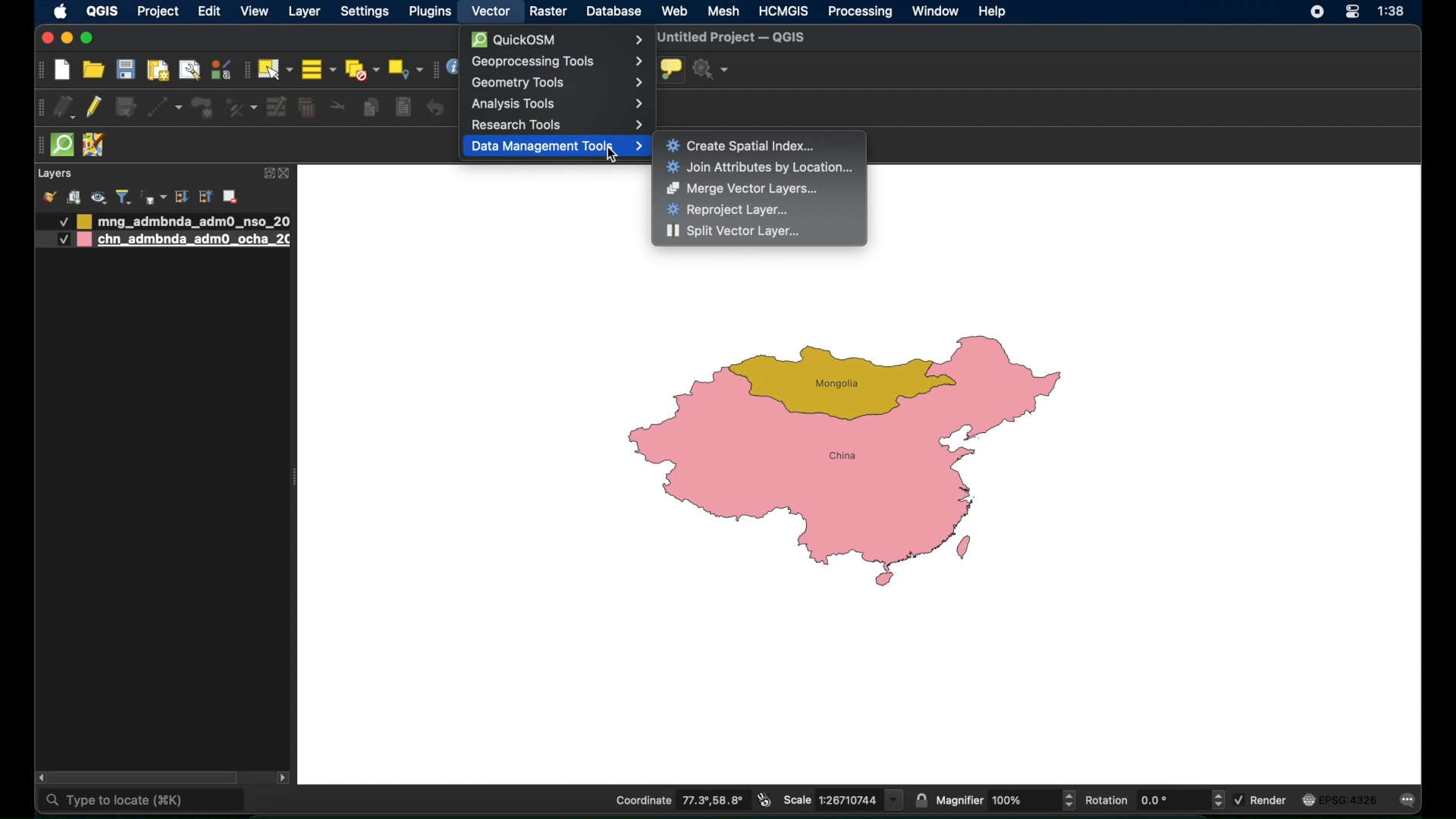  What do you see at coordinates (429, 12) in the screenshot?
I see `plugins` at bounding box center [429, 12].